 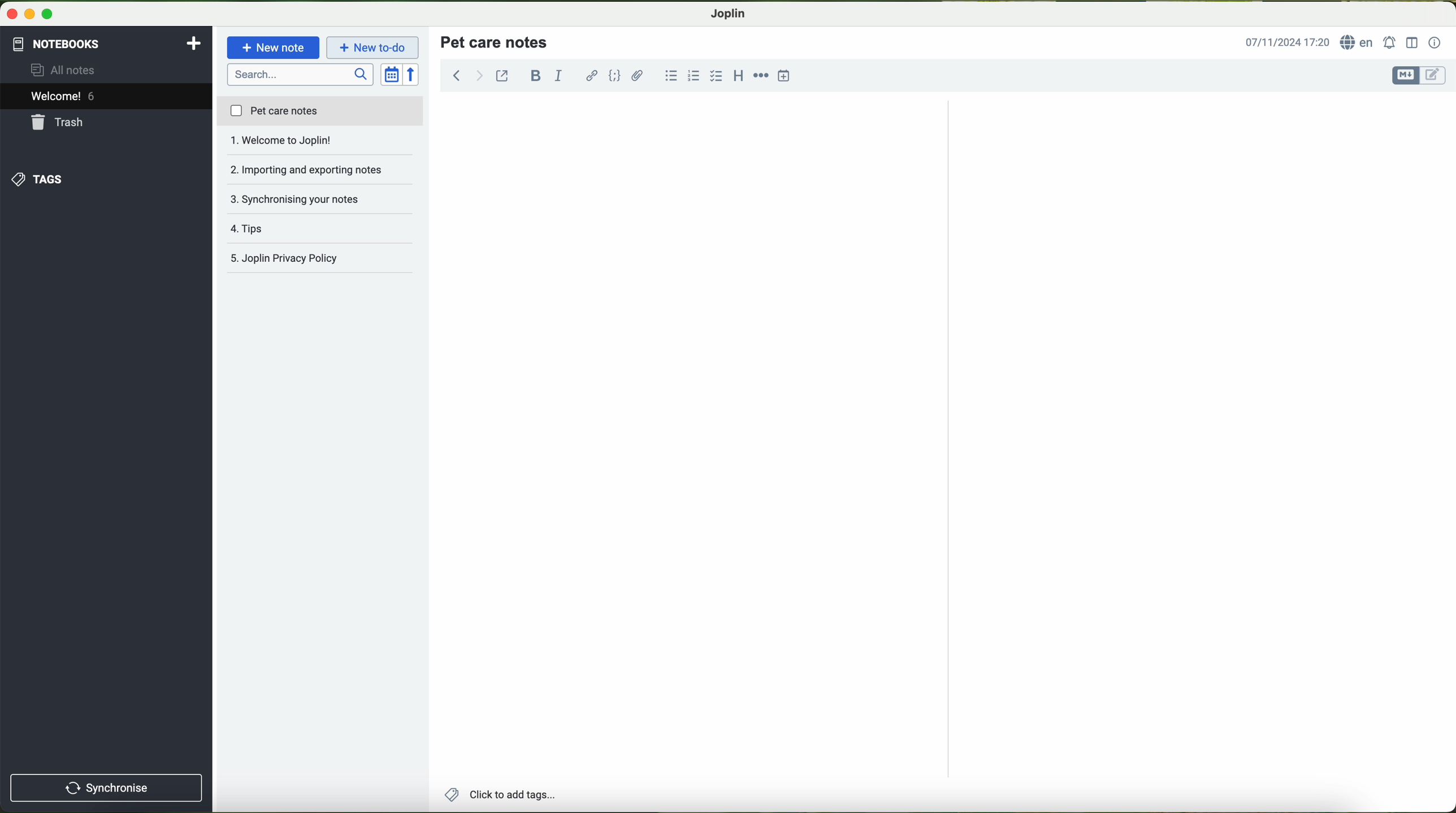 What do you see at coordinates (1391, 42) in the screenshot?
I see `set alarm` at bounding box center [1391, 42].